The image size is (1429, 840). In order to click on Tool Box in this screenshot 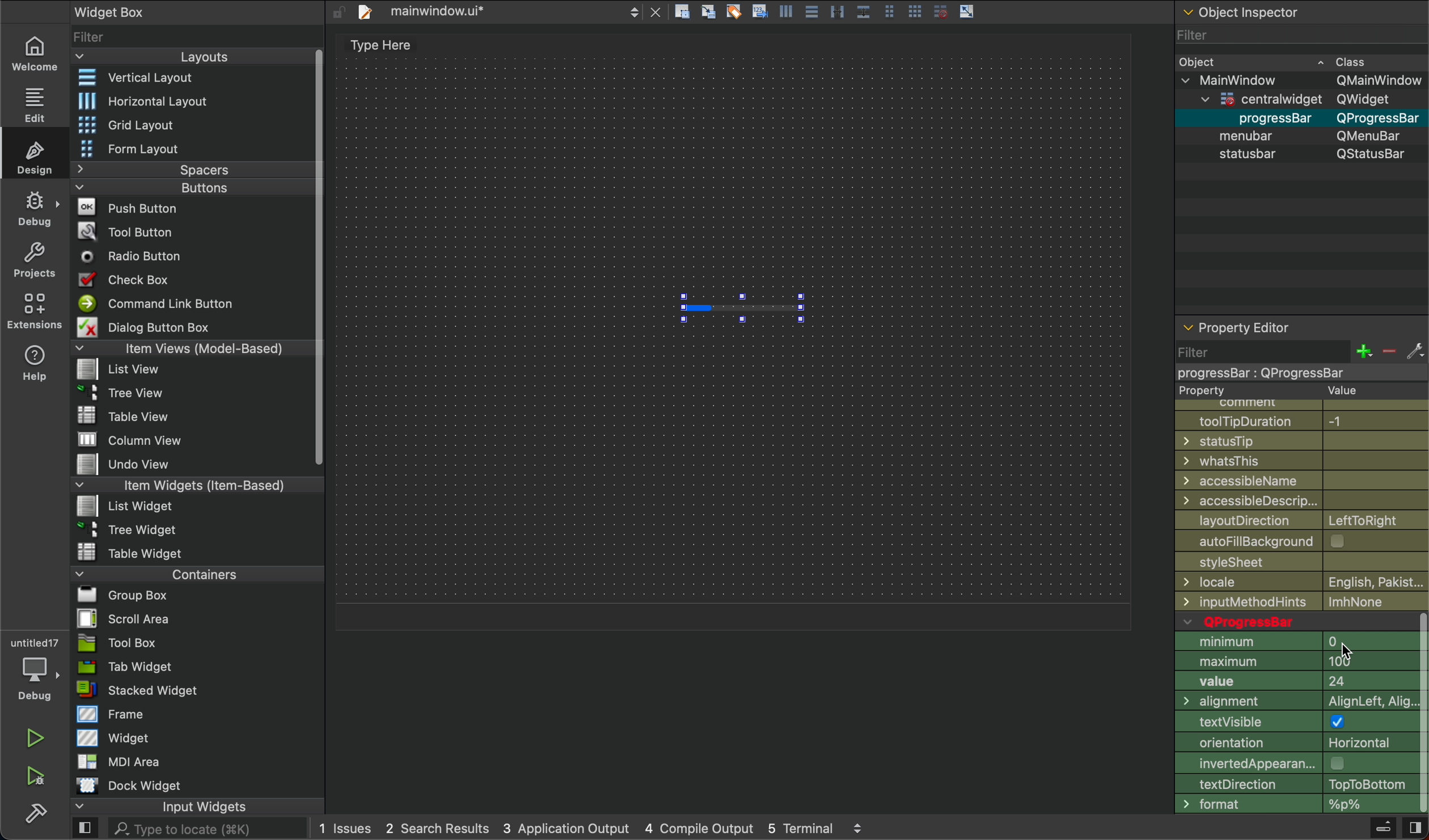, I will do `click(117, 643)`.